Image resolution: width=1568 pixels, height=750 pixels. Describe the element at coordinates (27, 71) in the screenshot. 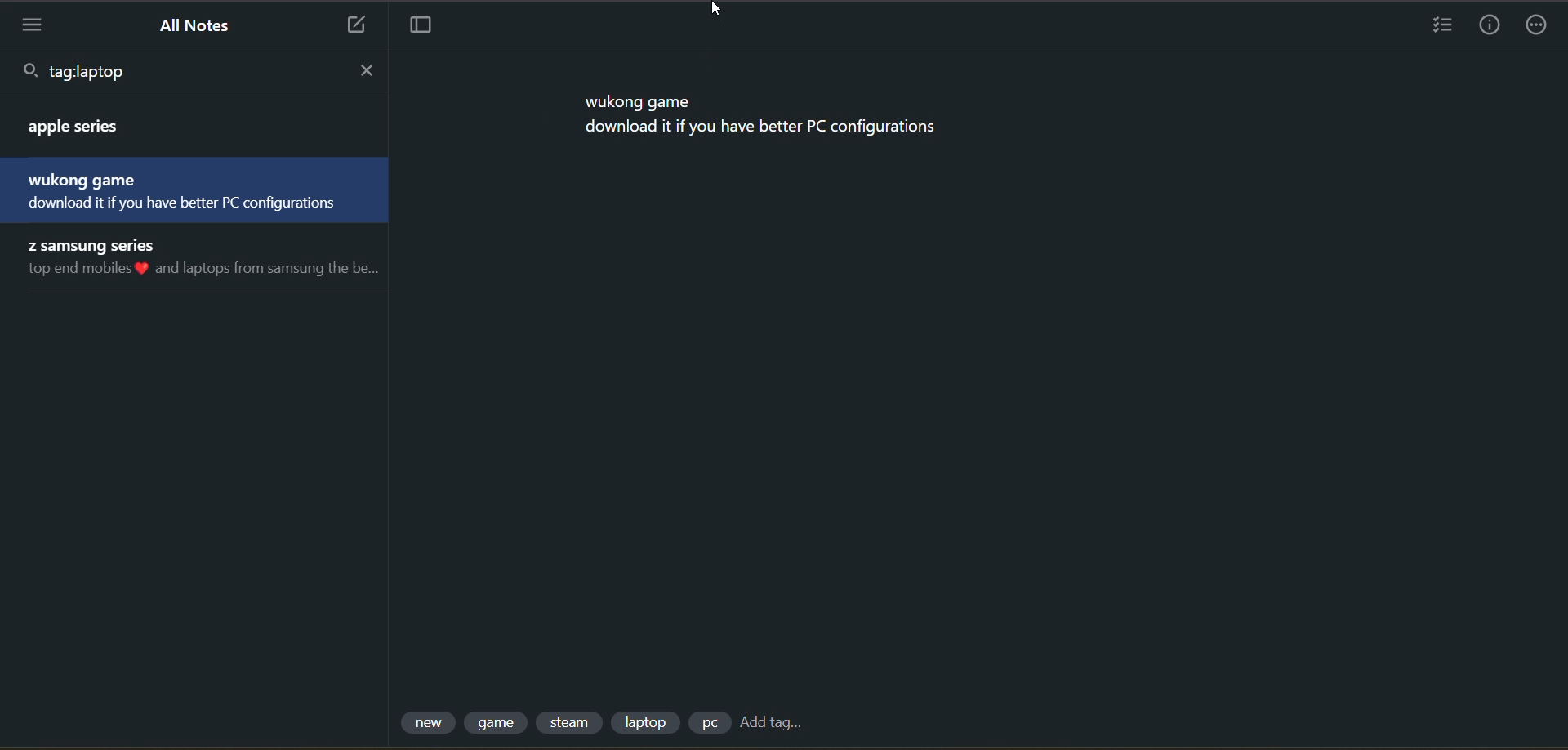

I see `search` at that location.